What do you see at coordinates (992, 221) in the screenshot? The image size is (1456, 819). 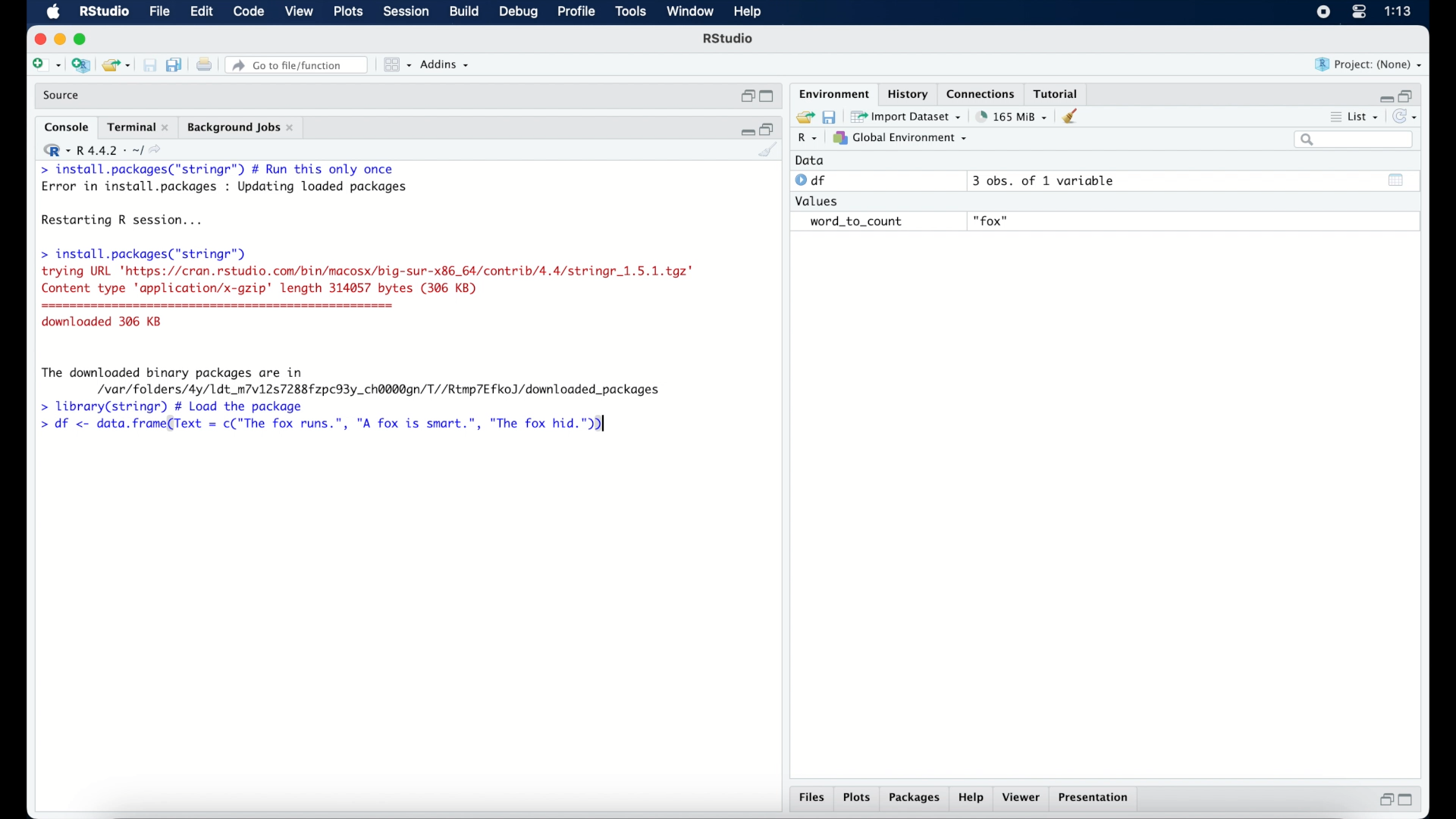 I see `fox` at bounding box center [992, 221].